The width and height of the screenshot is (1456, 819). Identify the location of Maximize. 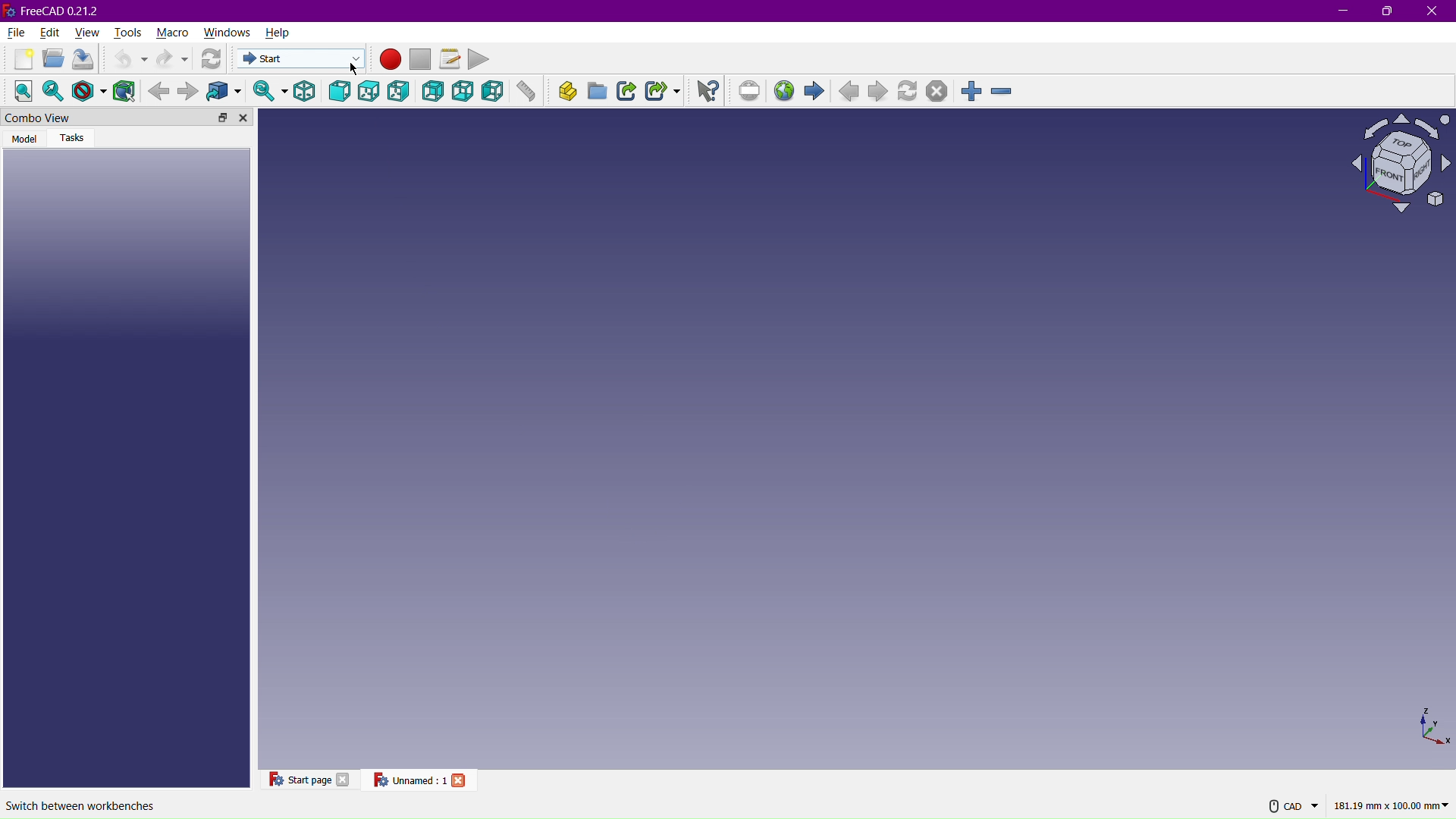
(1387, 11).